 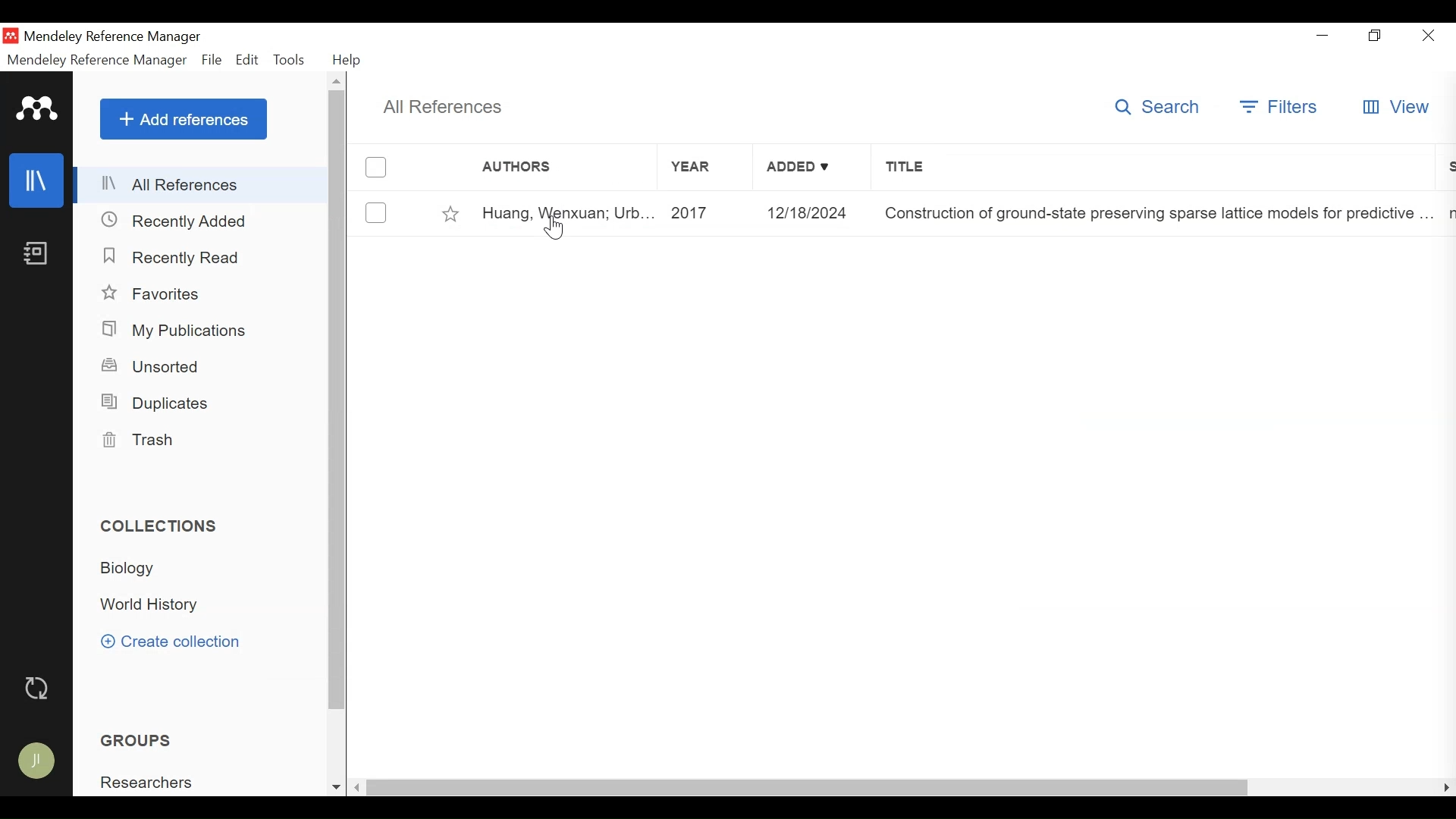 I want to click on Mendeley Desktop Icon, so click(x=11, y=36).